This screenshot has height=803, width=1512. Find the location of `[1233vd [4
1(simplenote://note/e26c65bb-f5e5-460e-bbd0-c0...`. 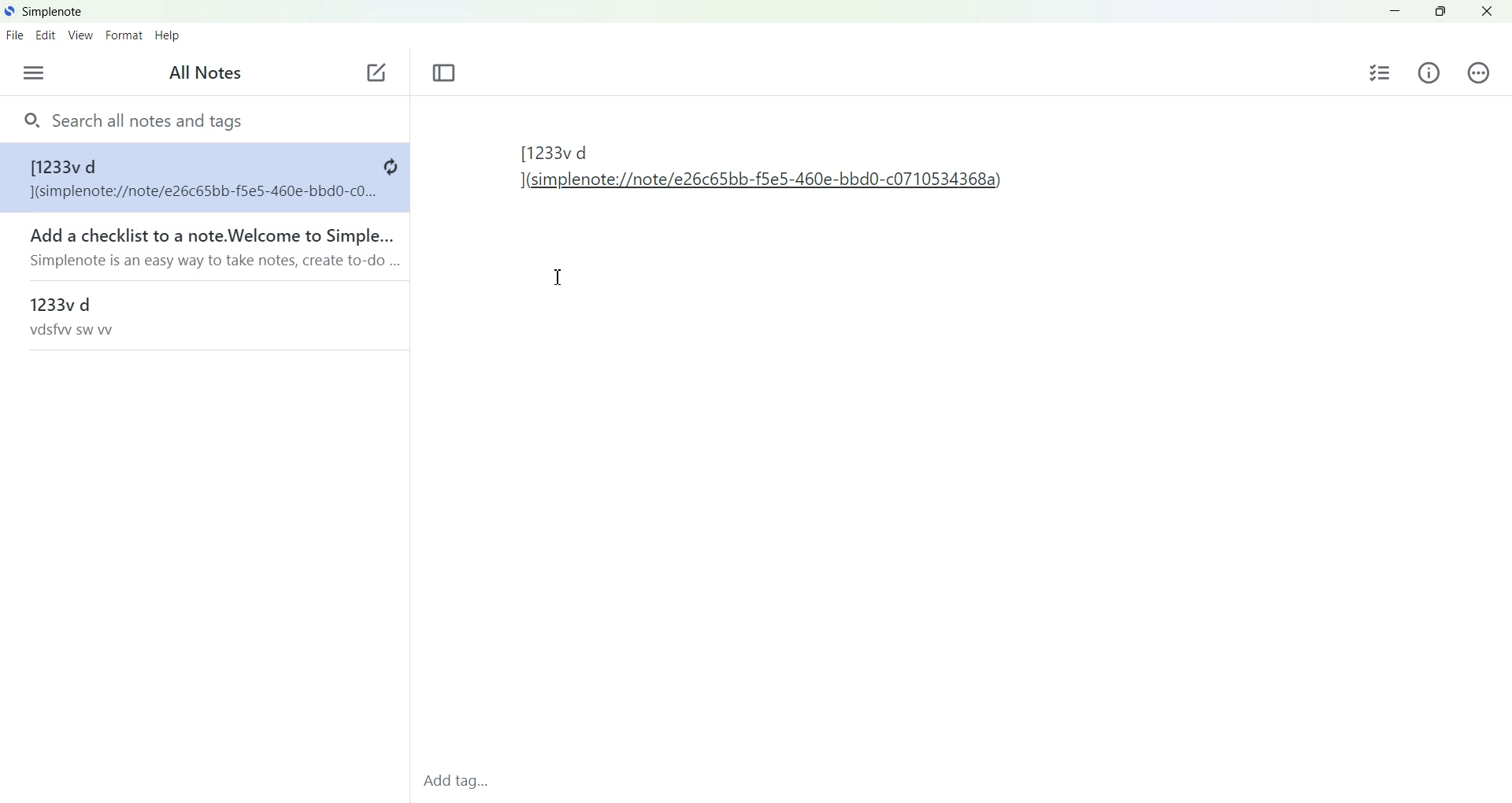

[1233vd [4
1(simplenote://note/e26c65bb-f5e5-460e-bbd0-c0... is located at coordinates (202, 179).